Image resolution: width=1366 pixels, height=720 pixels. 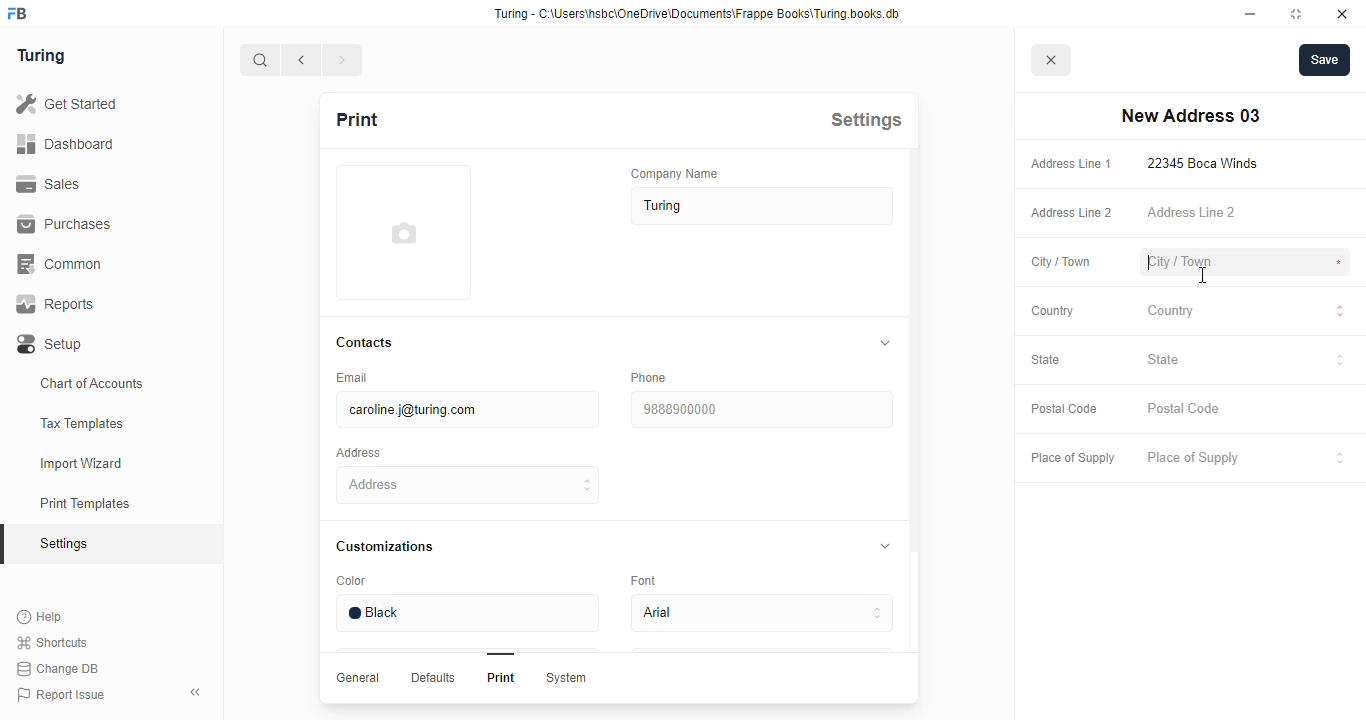 I want to click on General, so click(x=358, y=677).